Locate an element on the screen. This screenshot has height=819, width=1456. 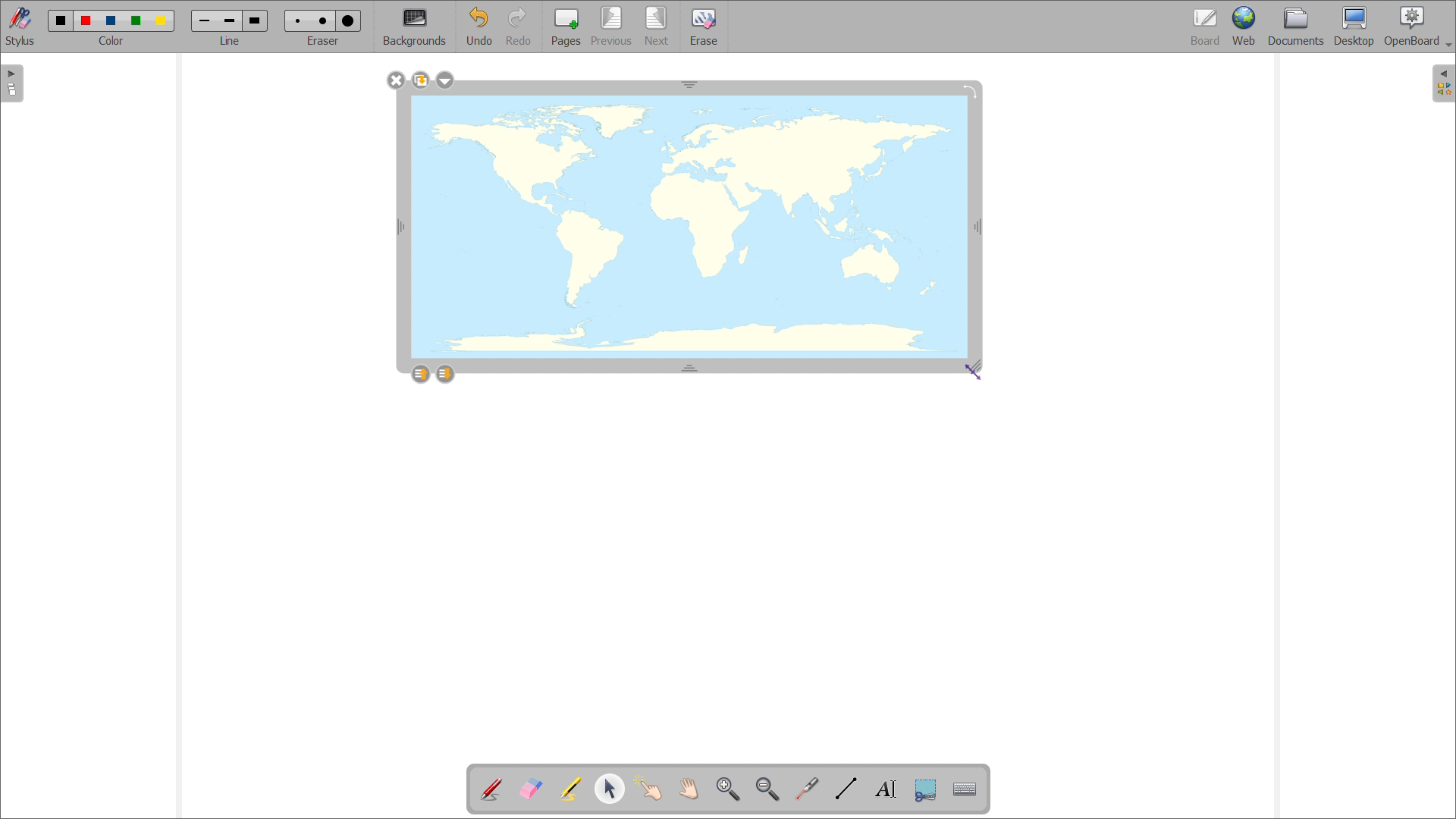
delete is located at coordinates (396, 80).